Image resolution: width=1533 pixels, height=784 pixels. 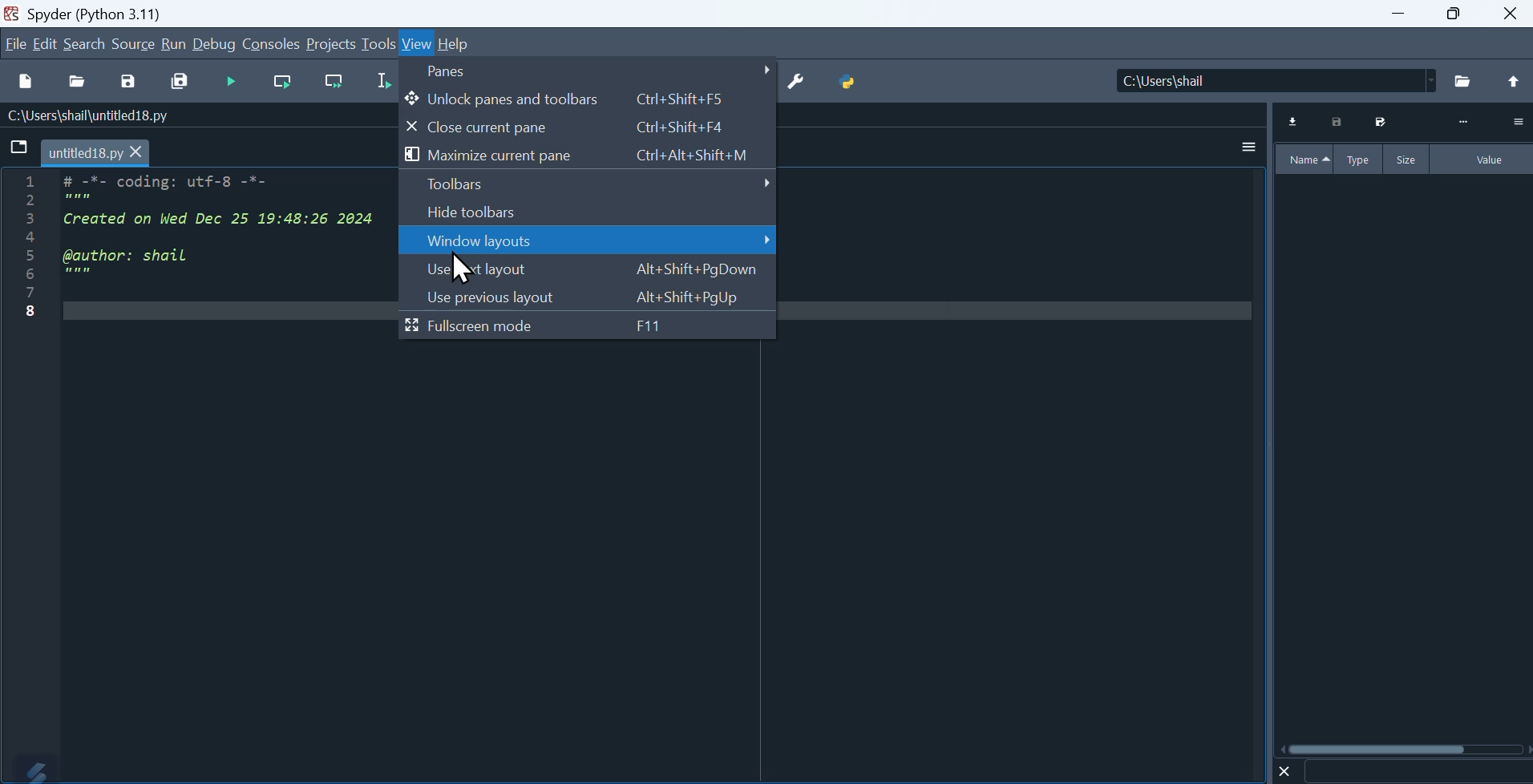 I want to click on minimize, so click(x=1395, y=14).